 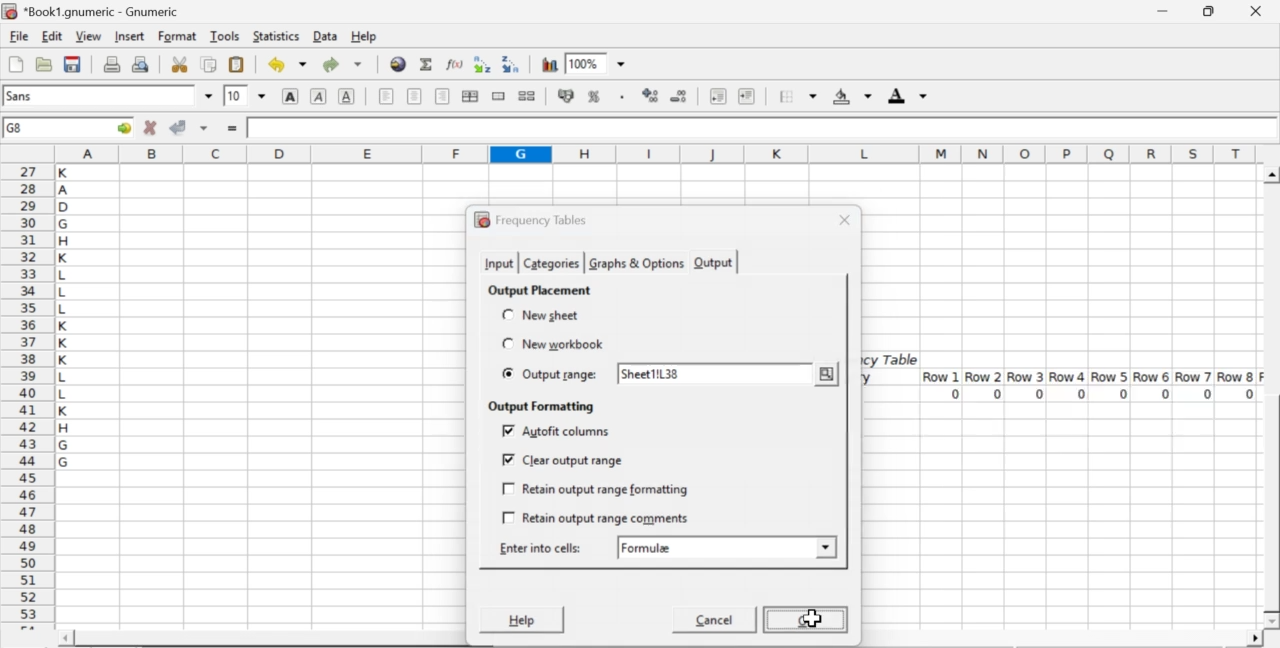 What do you see at coordinates (262, 95) in the screenshot?
I see `drop down` at bounding box center [262, 95].